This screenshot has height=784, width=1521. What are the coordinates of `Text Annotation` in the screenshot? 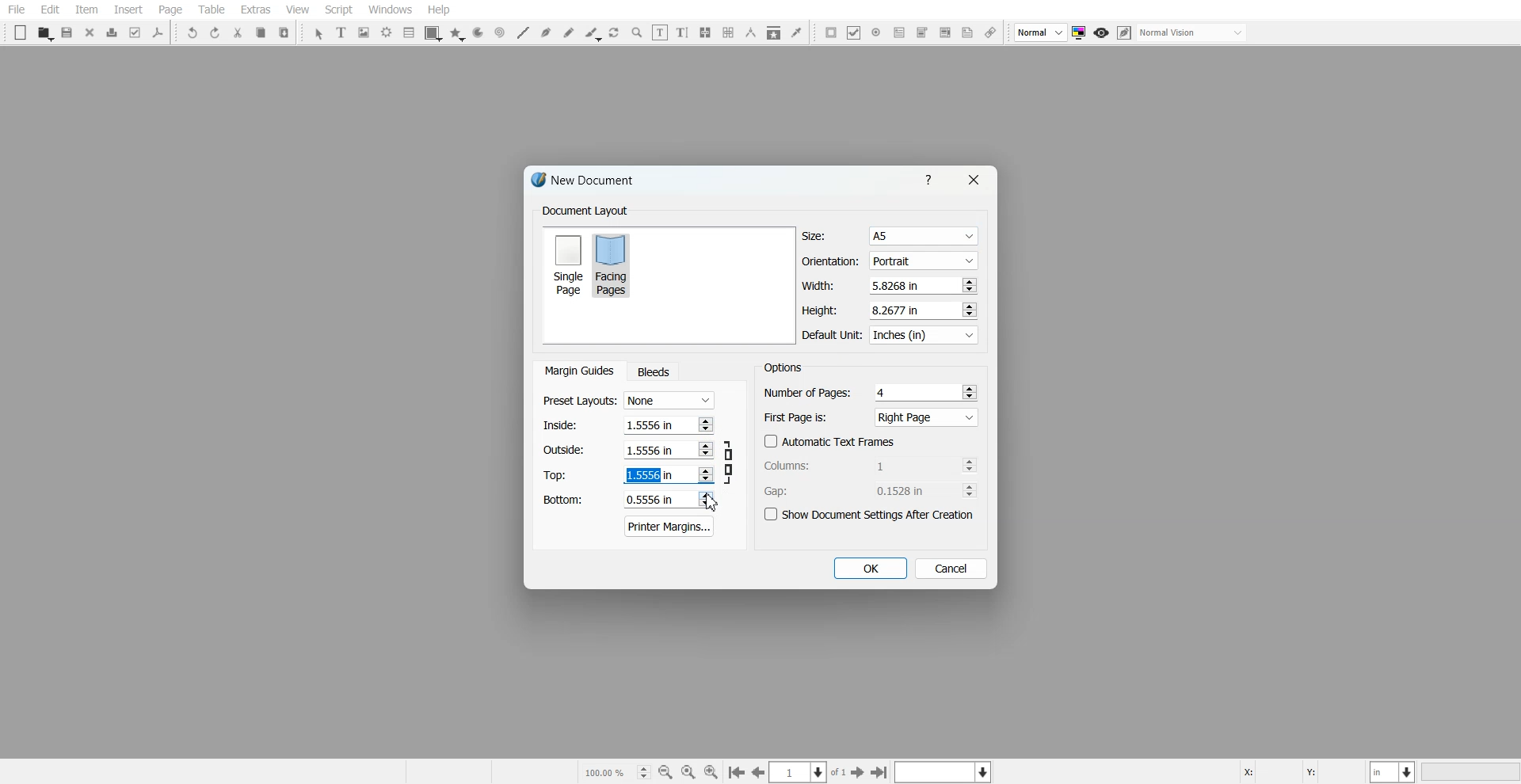 It's located at (967, 33).